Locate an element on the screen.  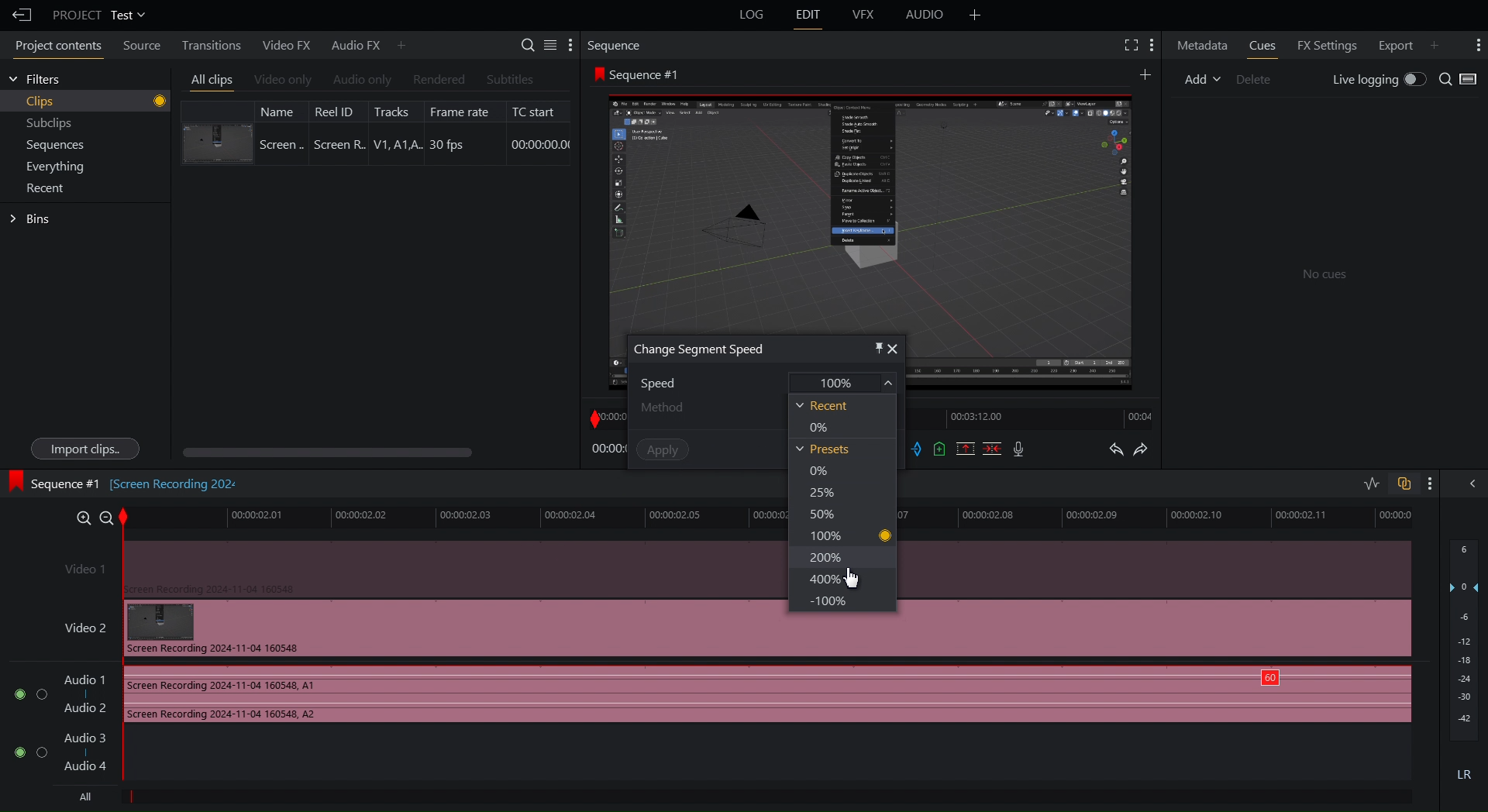
FX Settings is located at coordinates (1324, 43).